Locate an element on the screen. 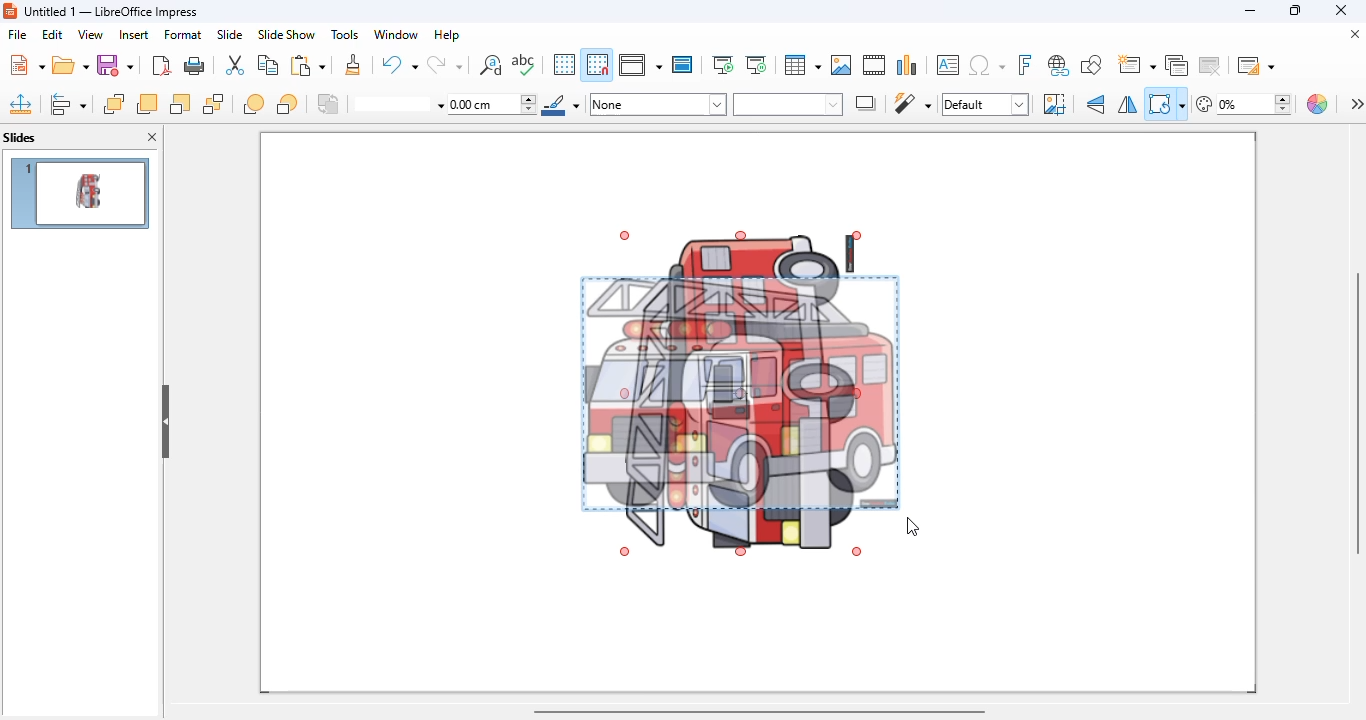 The height and width of the screenshot is (720, 1366). reverse is located at coordinates (329, 104).